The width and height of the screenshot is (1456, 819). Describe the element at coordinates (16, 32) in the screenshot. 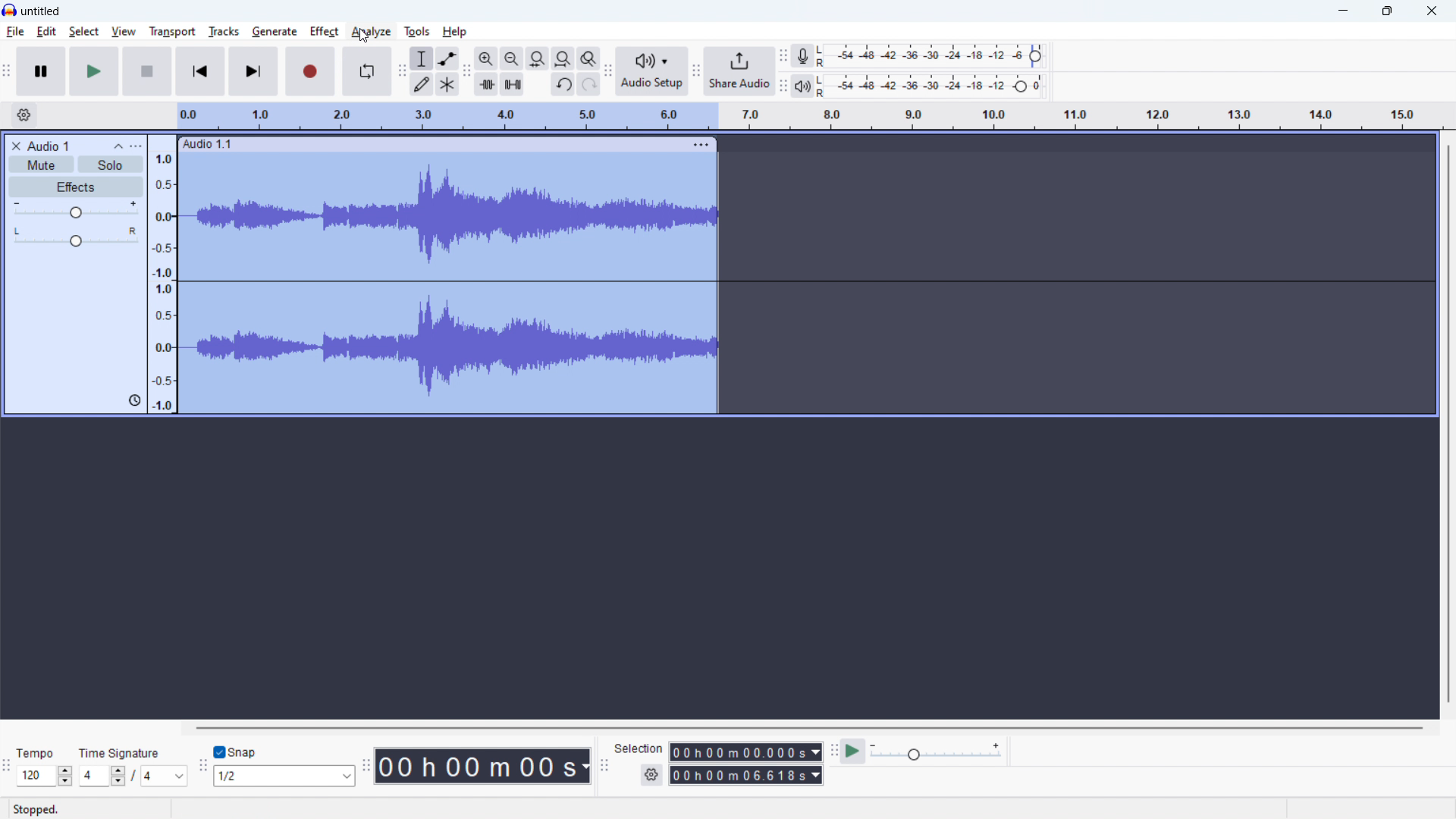

I see `file` at that location.